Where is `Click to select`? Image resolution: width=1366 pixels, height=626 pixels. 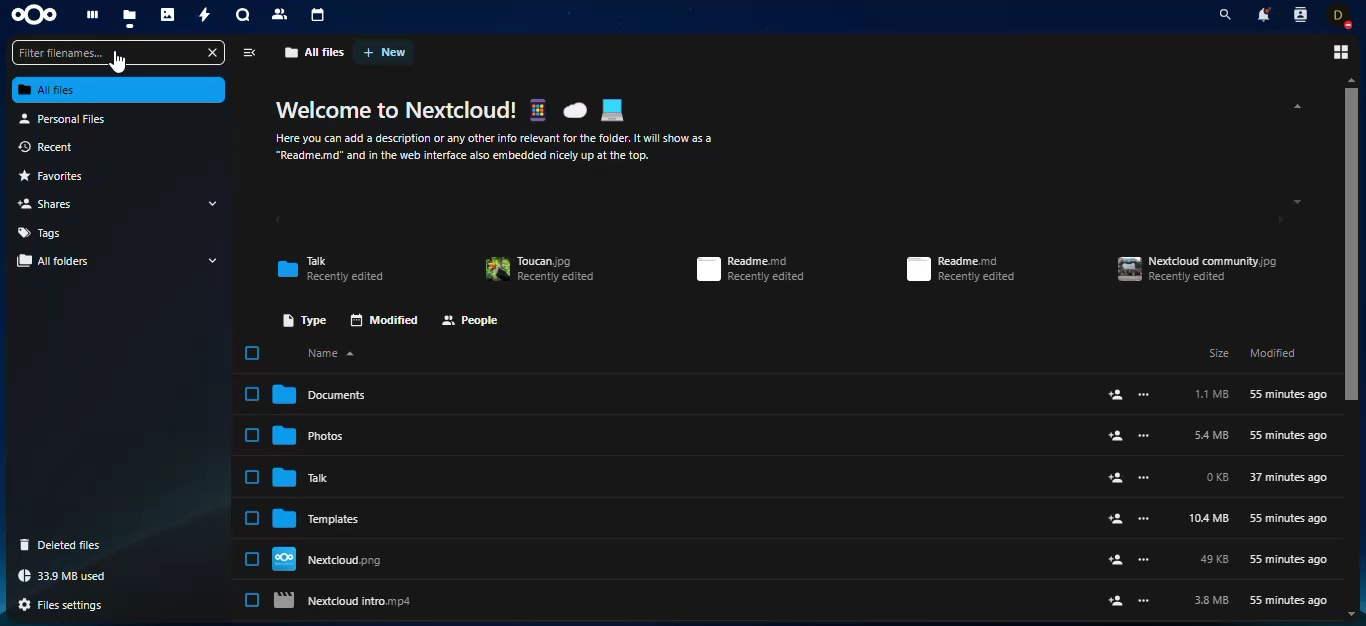 Click to select is located at coordinates (252, 435).